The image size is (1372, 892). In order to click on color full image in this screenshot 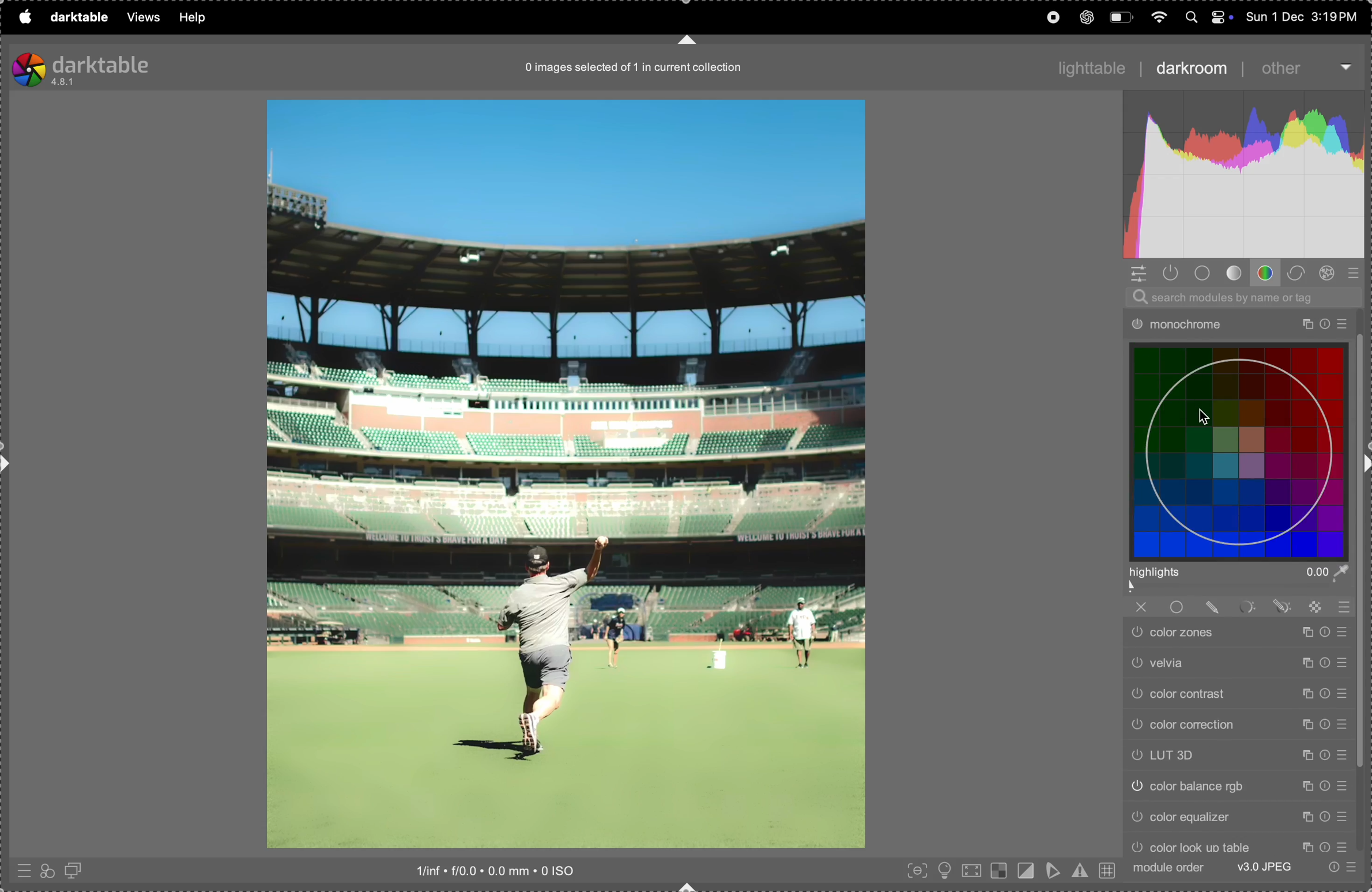, I will do `click(564, 475)`.